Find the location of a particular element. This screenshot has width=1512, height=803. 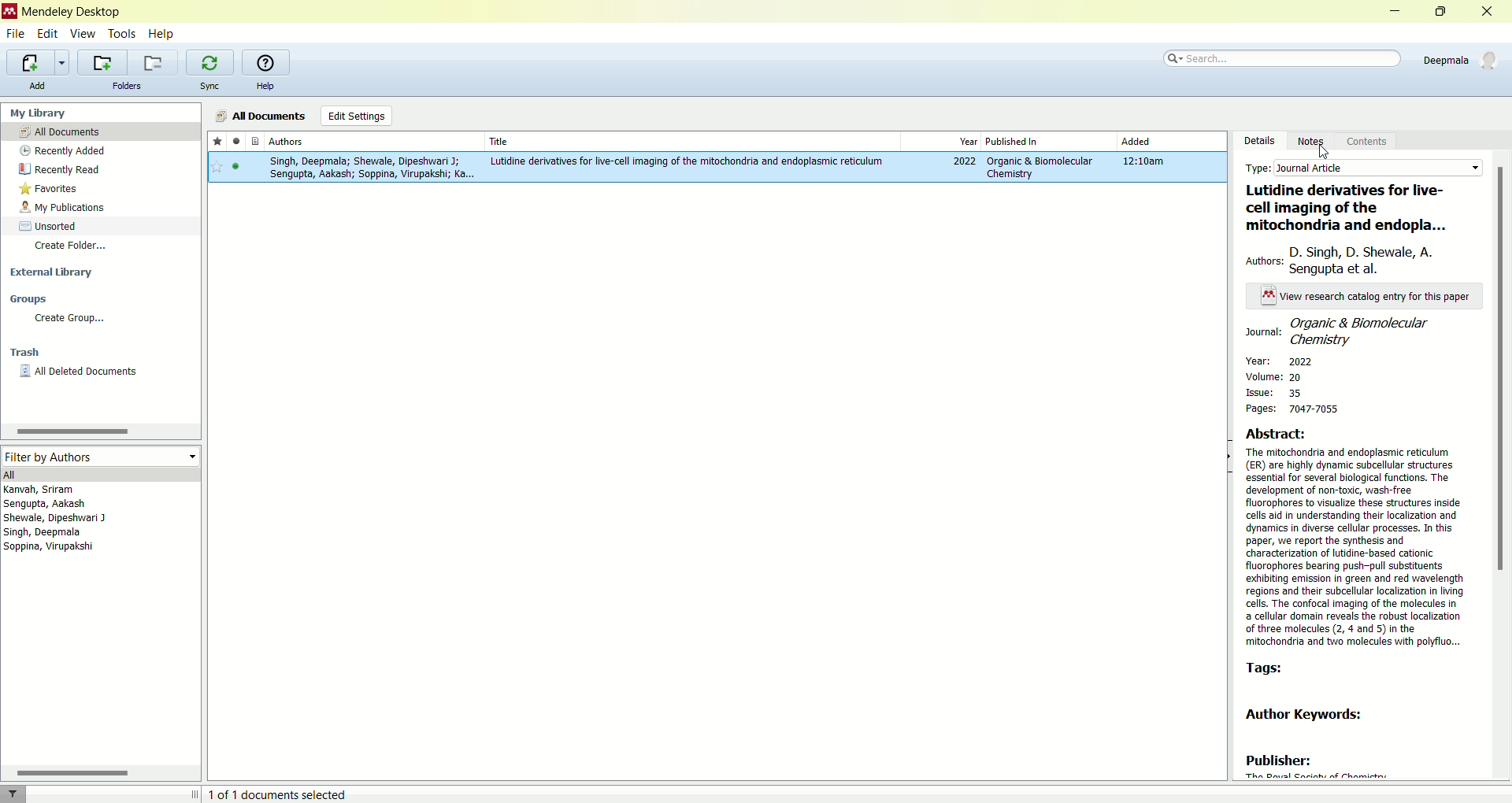

Singh, Deepmala; Shewale, Dipeshwari J; Sengupta, Aakash; Soppira, Virupakshi; Ka. is located at coordinates (369, 168).